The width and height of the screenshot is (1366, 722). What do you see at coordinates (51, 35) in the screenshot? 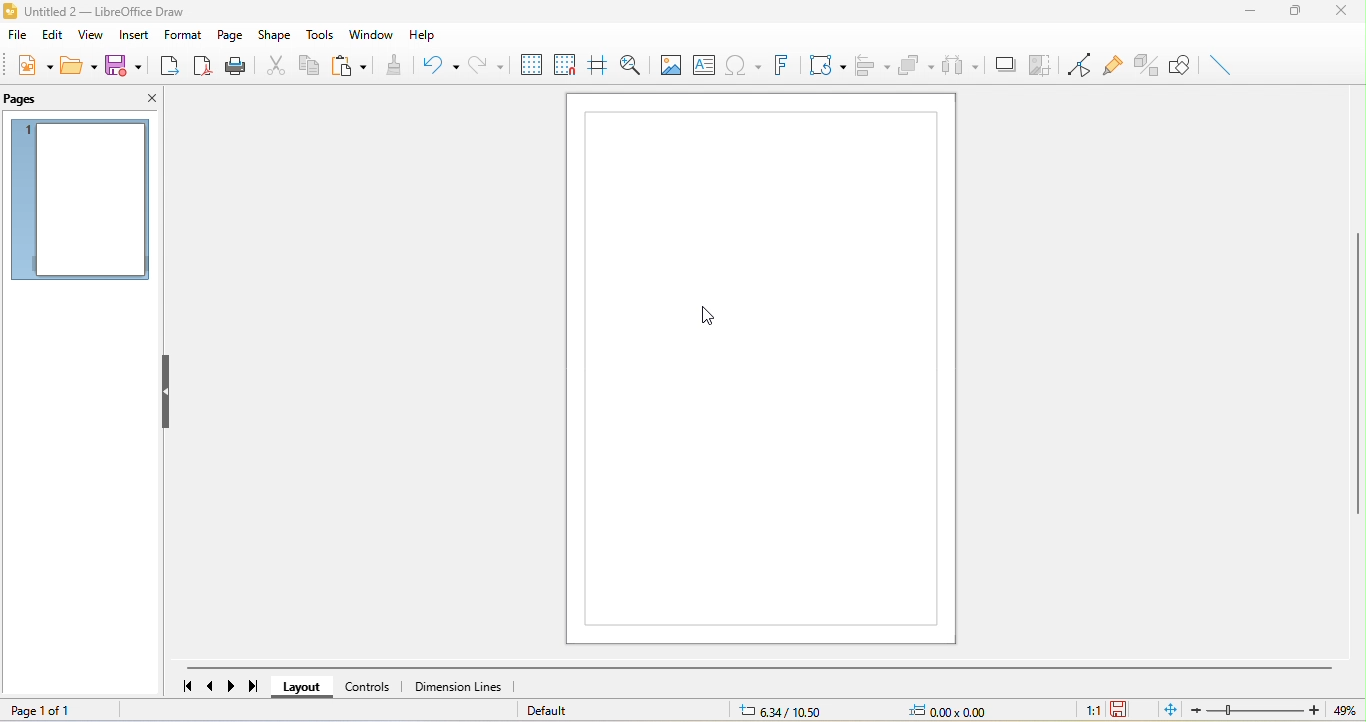
I see `edit` at bounding box center [51, 35].